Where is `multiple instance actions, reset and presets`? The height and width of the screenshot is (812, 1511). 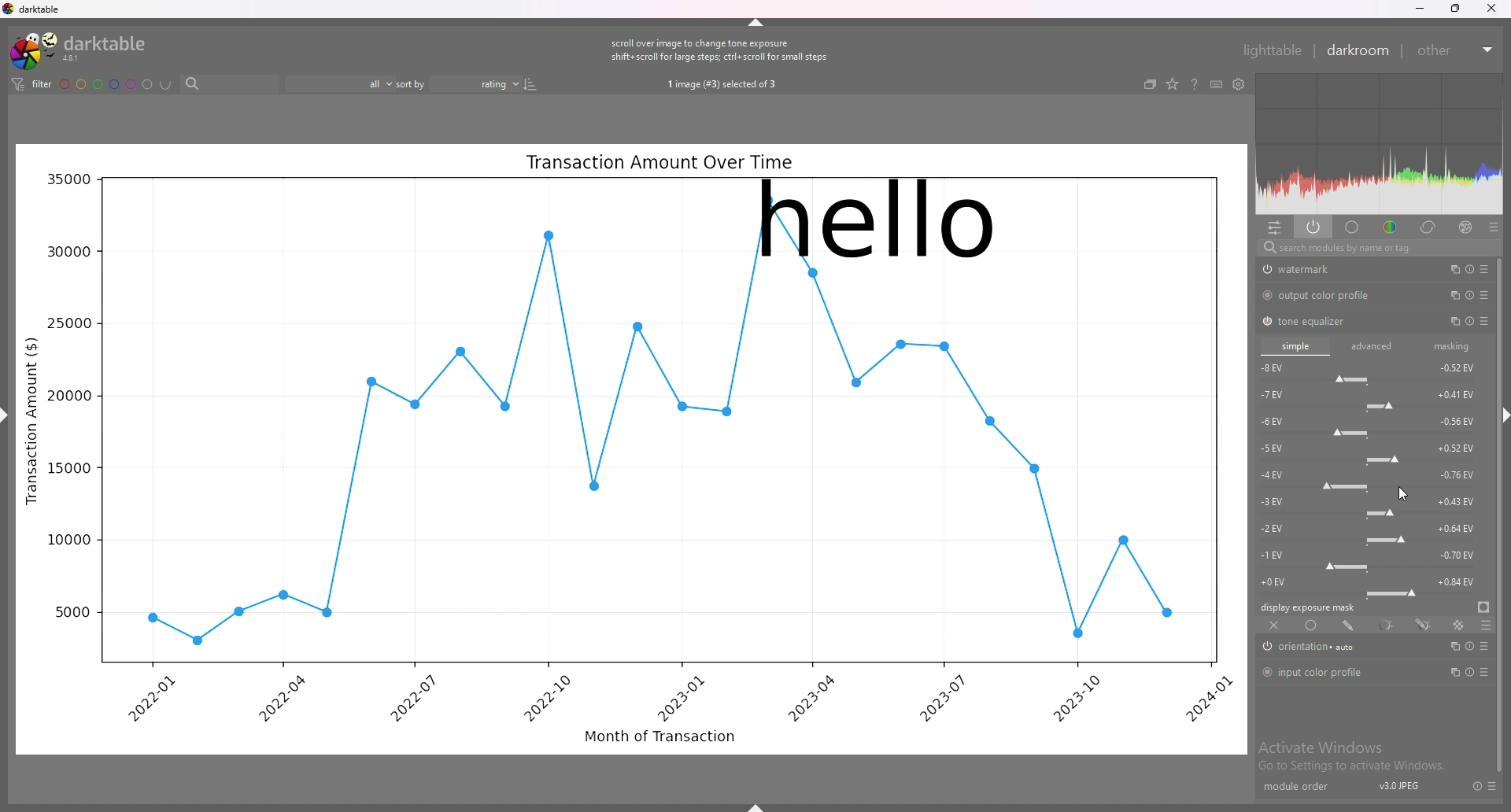
multiple instance actions, reset and presets is located at coordinates (1471, 671).